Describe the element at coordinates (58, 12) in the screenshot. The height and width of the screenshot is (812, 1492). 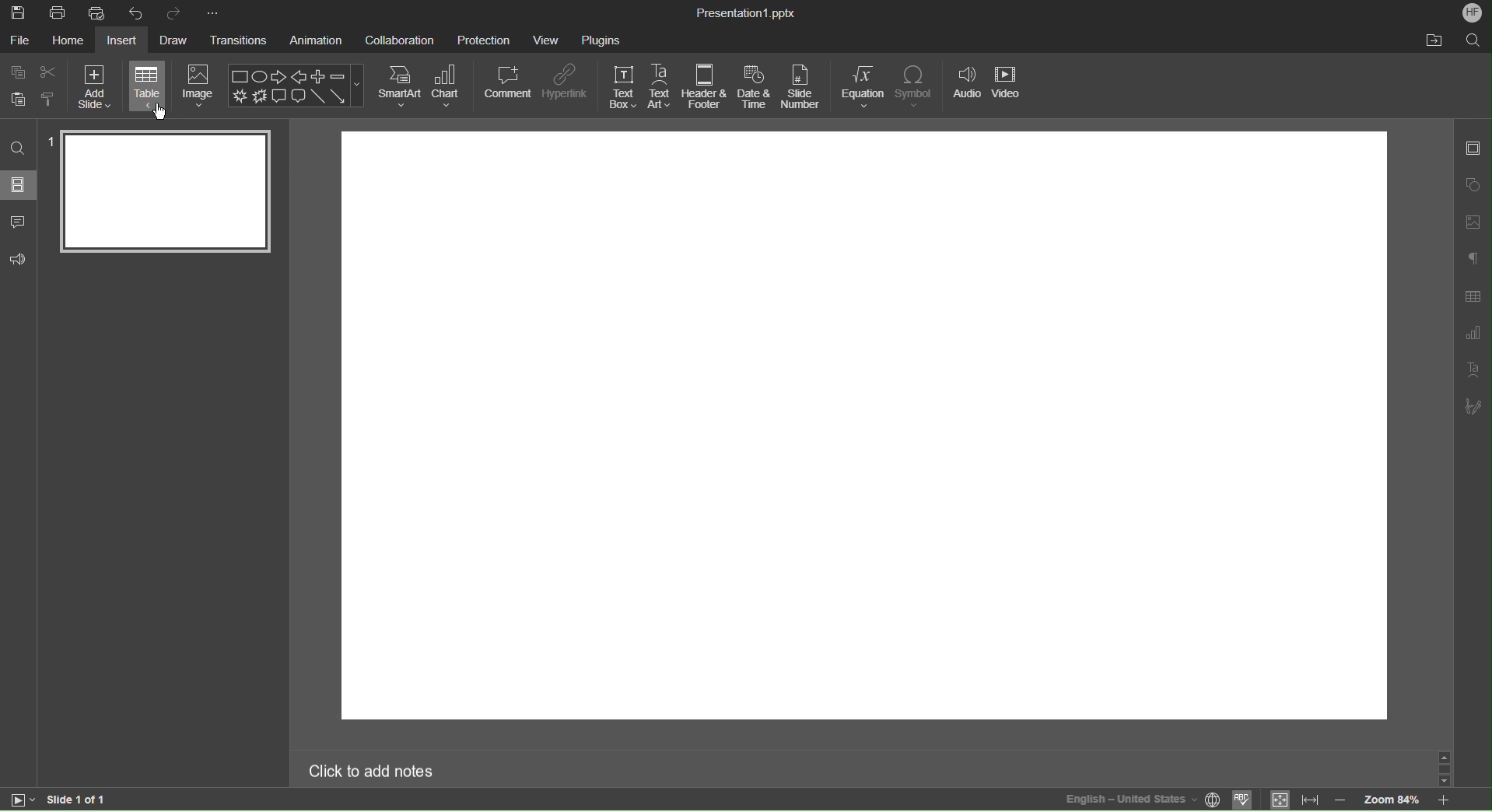
I see `Print` at that location.